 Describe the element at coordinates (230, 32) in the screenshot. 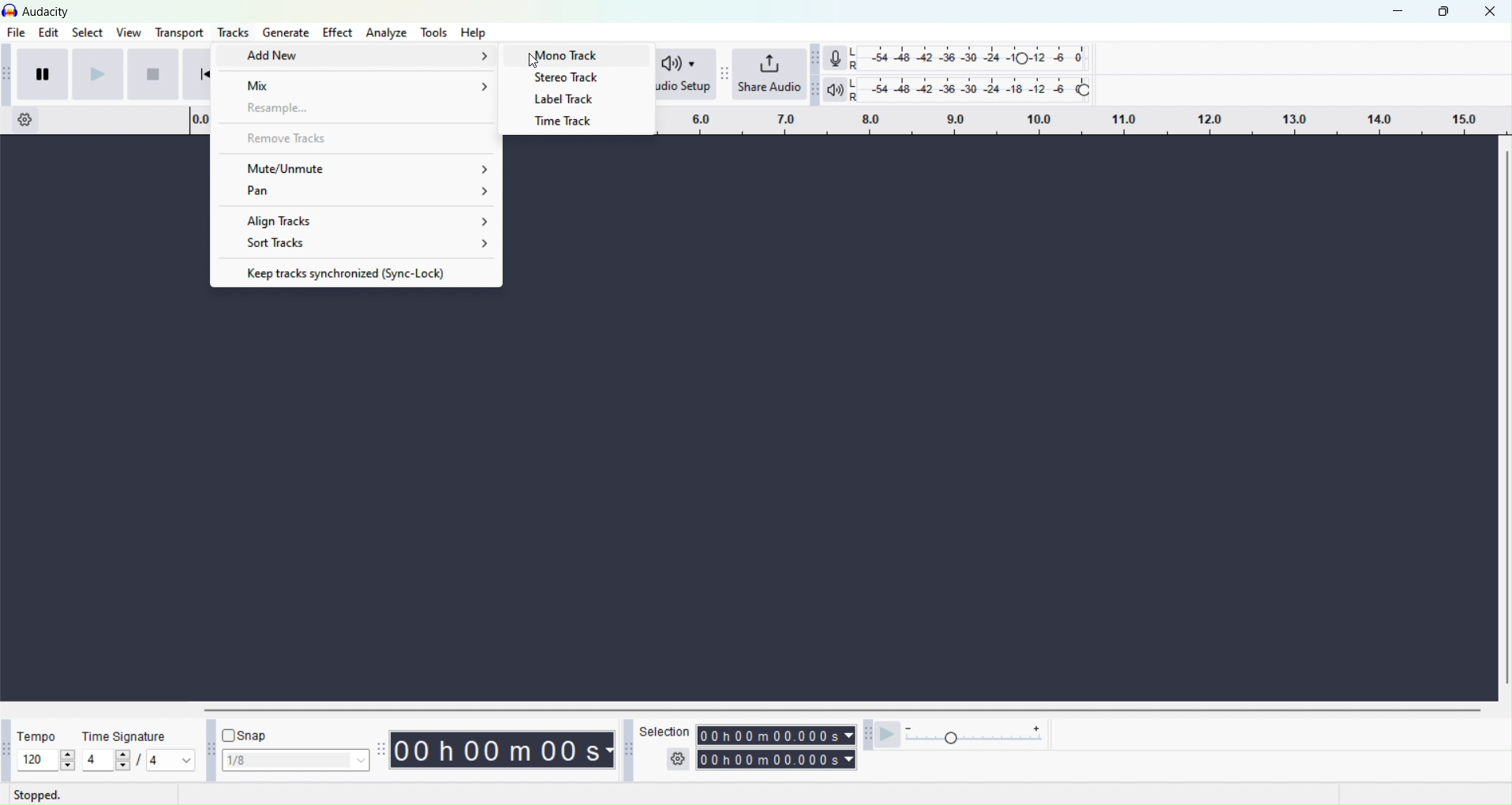

I see `Tools` at that location.